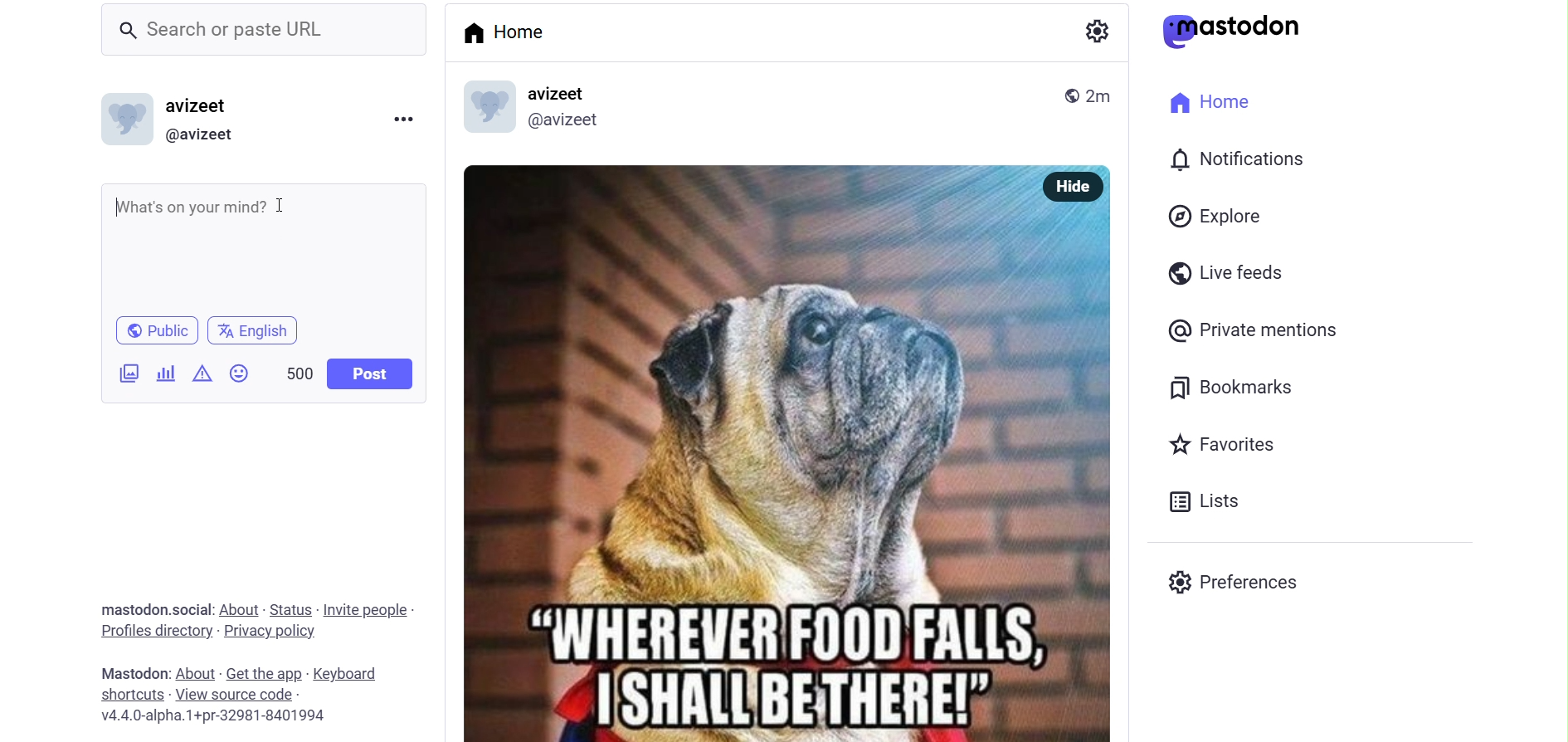 The image size is (1568, 742). Describe the element at coordinates (1098, 95) in the screenshot. I see `2m` at that location.